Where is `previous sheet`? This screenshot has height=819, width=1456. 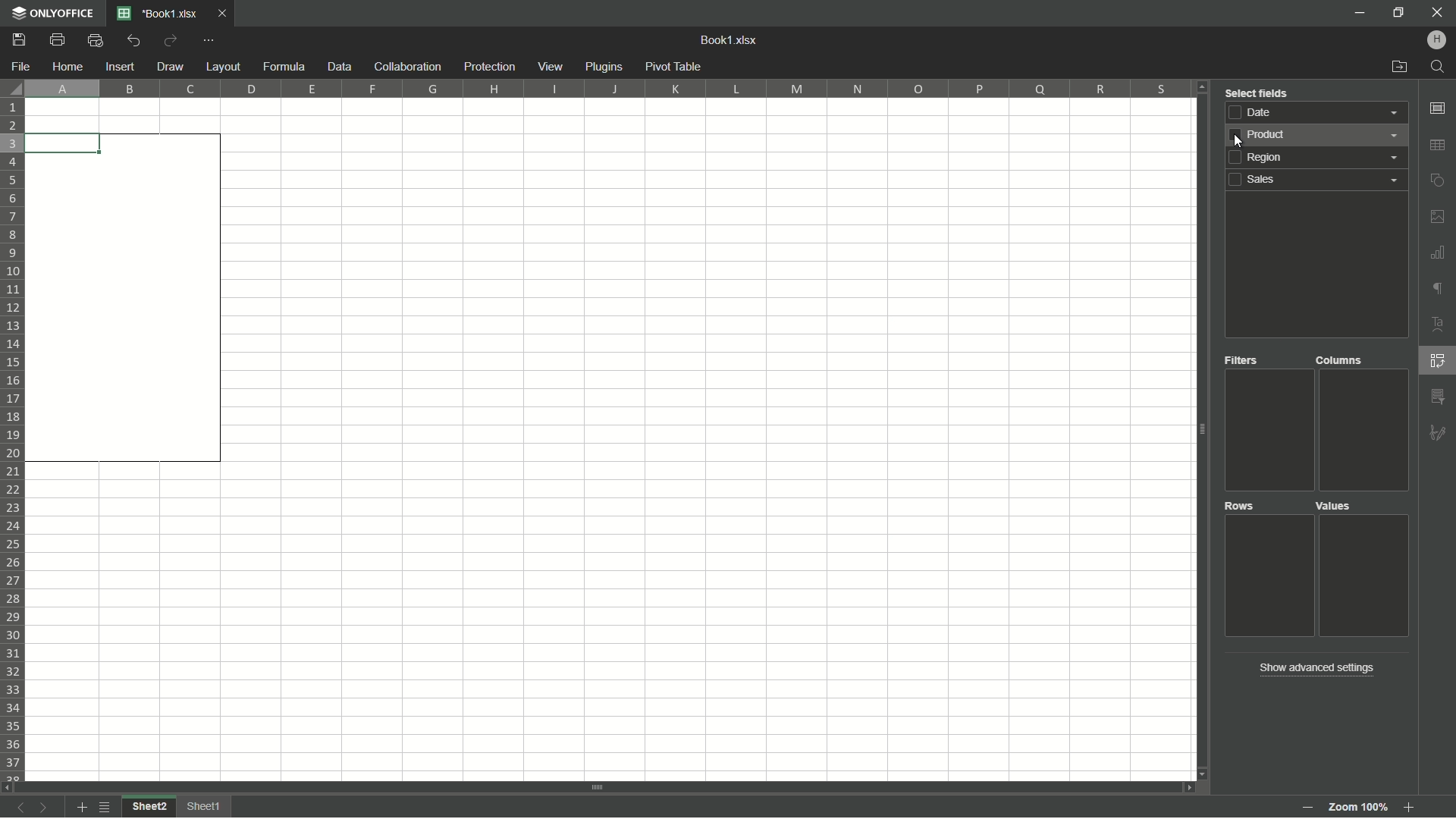 previous sheet is located at coordinates (19, 810).